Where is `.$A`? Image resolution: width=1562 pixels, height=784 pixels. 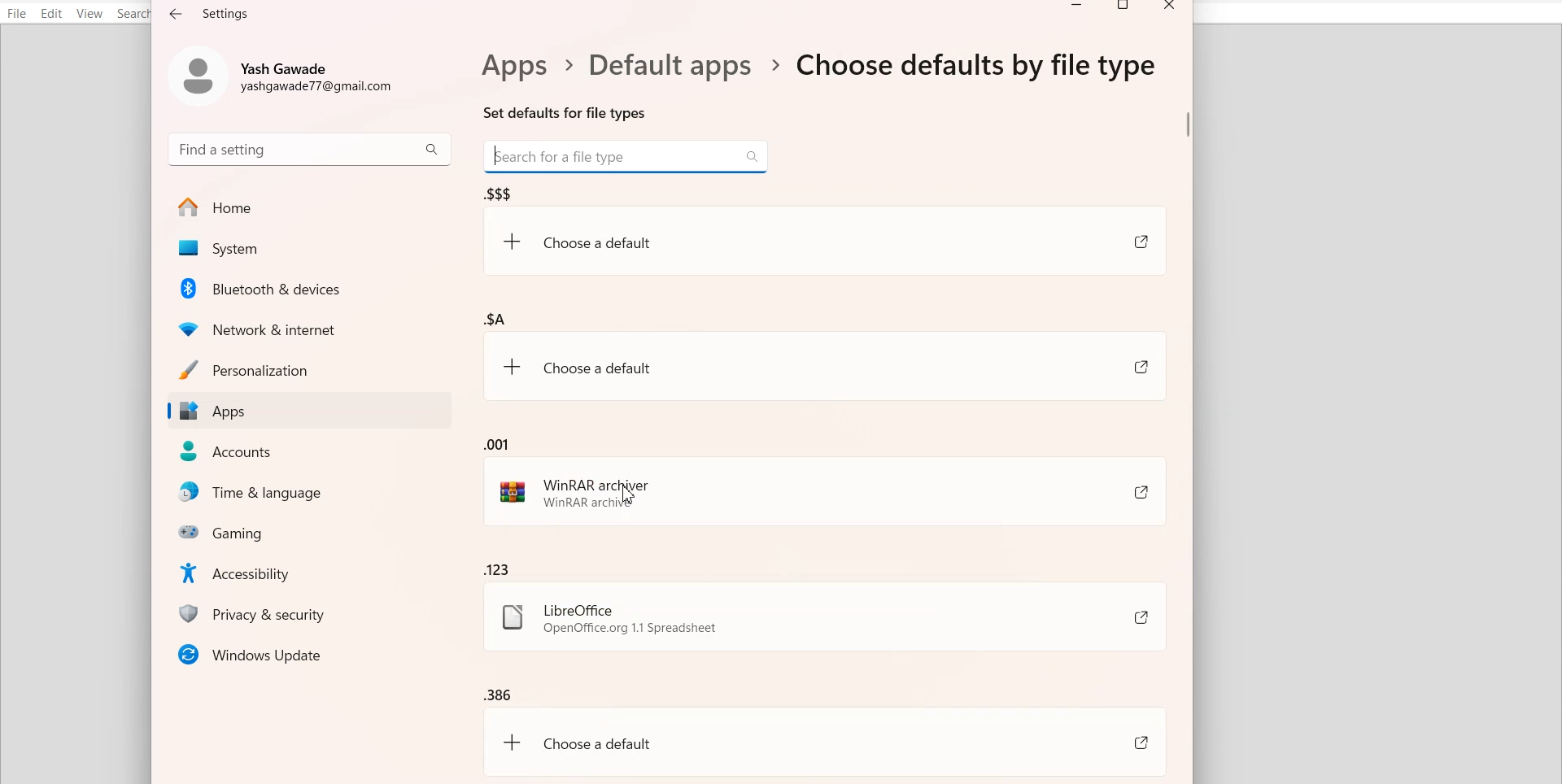 .$A is located at coordinates (822, 355).